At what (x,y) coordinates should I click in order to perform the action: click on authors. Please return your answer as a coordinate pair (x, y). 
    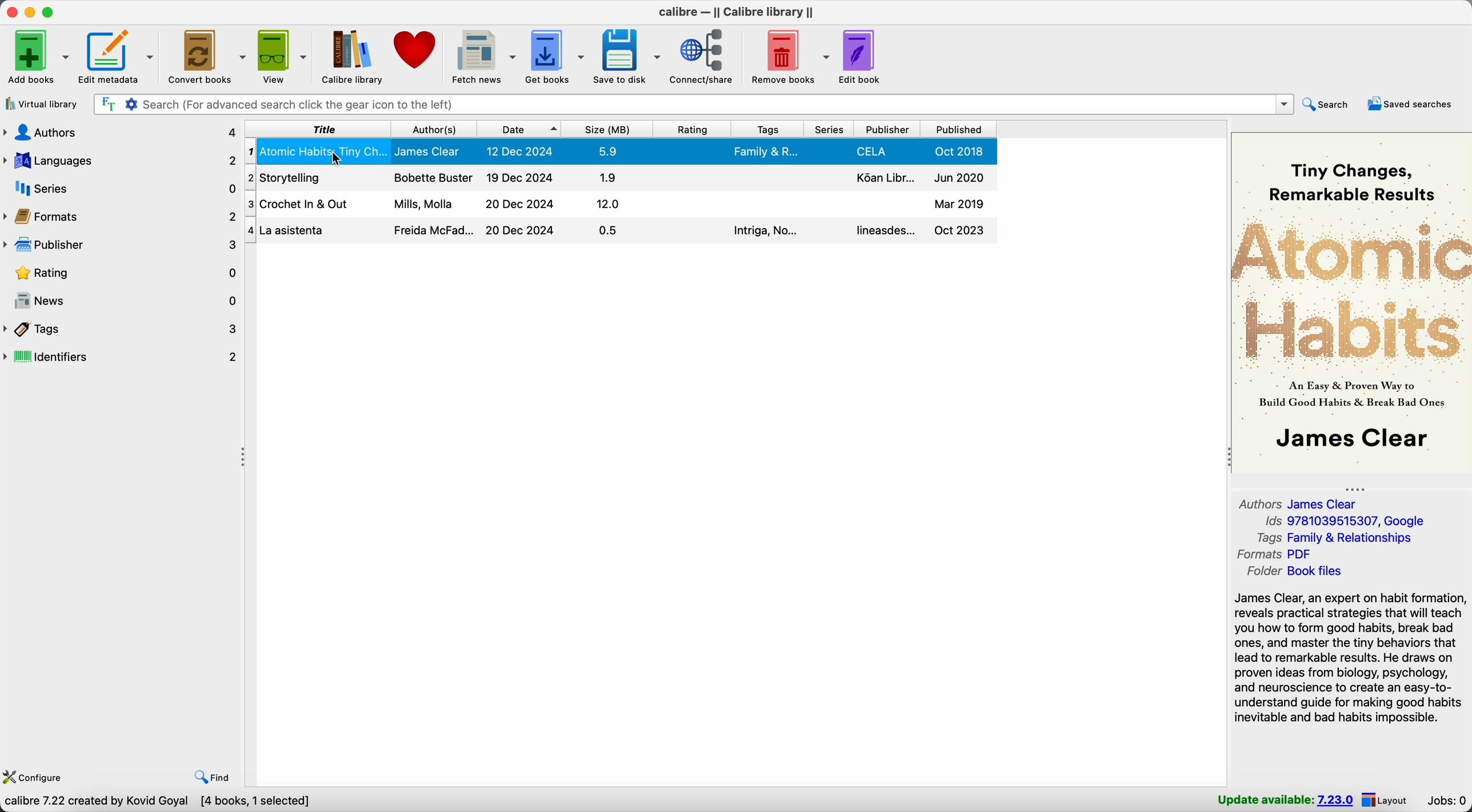
    Looking at the image, I should click on (1301, 502).